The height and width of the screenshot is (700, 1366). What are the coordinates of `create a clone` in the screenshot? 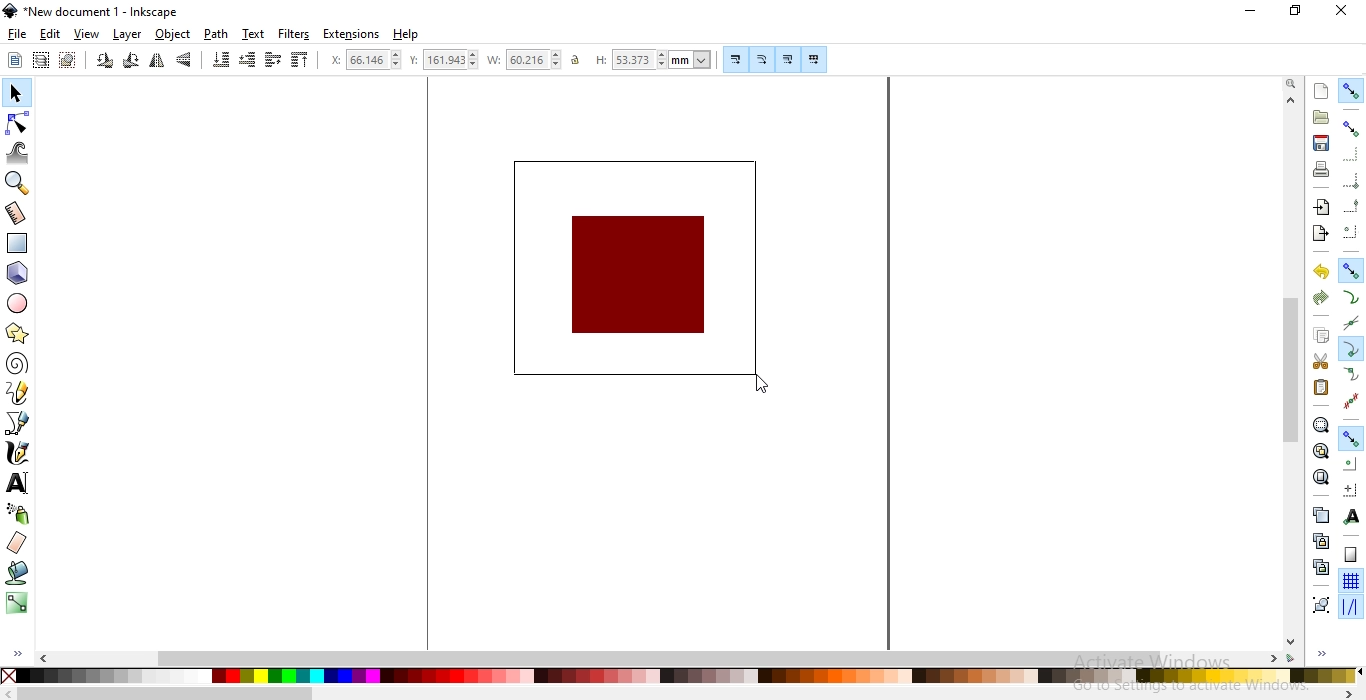 It's located at (1322, 539).